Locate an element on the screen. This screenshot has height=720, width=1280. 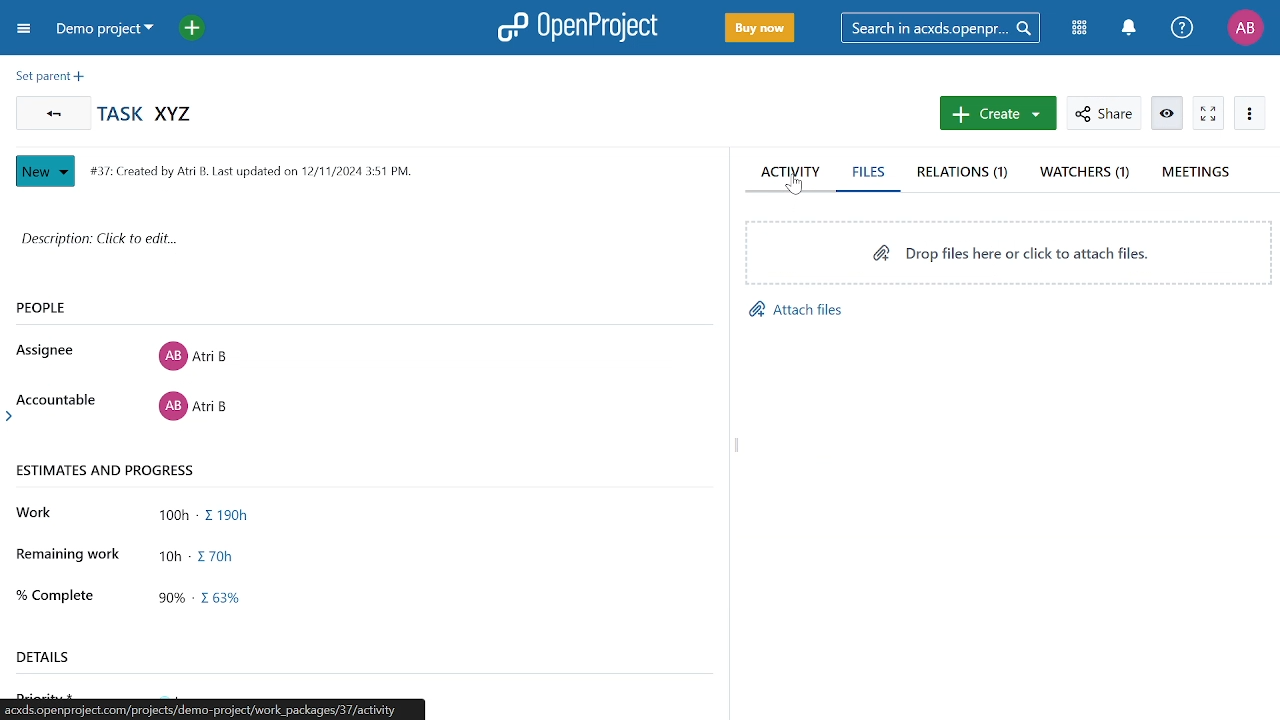
Collapse project menu is located at coordinates (20, 31).